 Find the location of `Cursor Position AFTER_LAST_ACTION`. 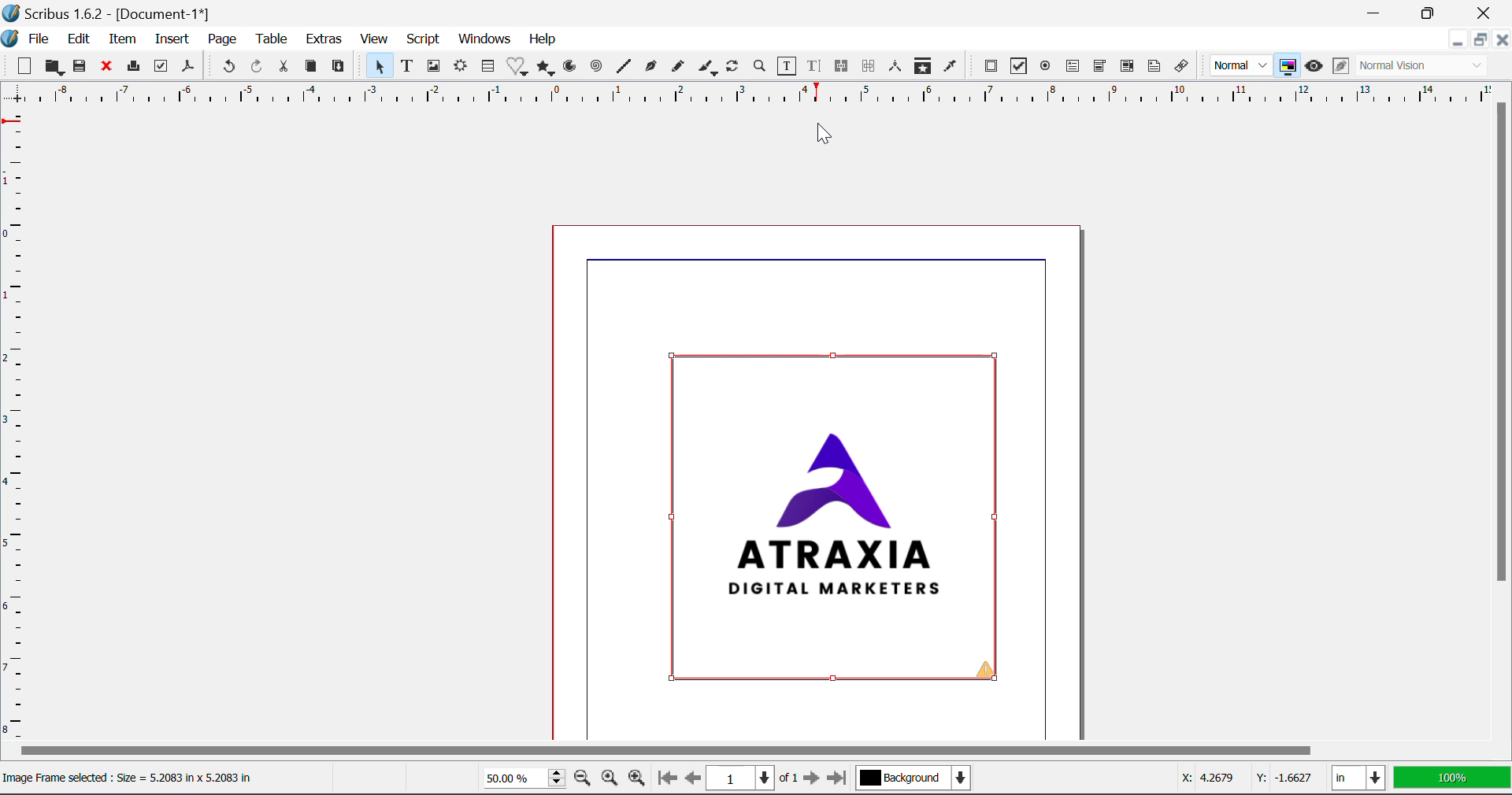

Cursor Position AFTER_LAST_ACTION is located at coordinates (823, 133).